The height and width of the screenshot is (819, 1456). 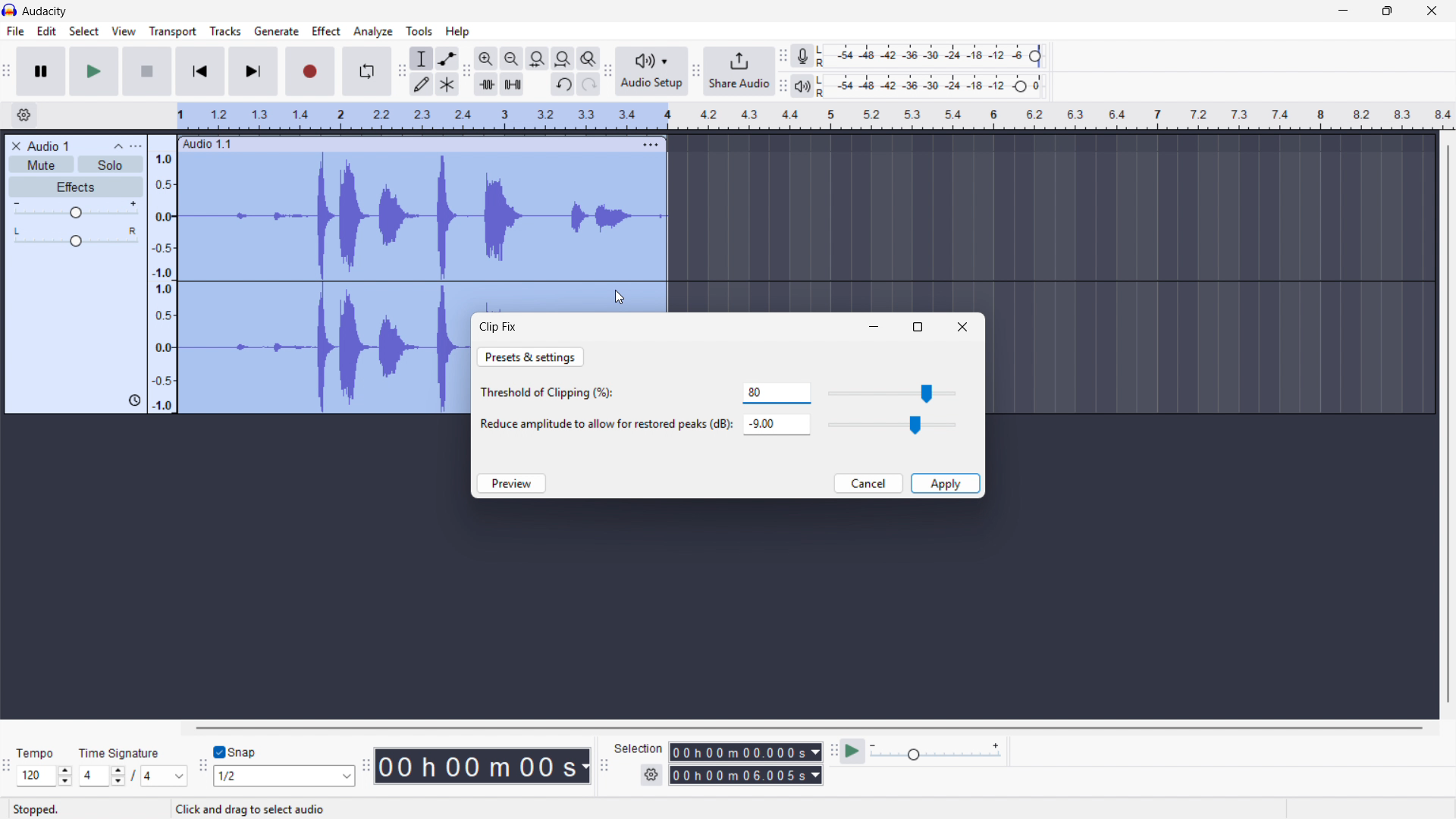 I want to click on pause , so click(x=40, y=71).